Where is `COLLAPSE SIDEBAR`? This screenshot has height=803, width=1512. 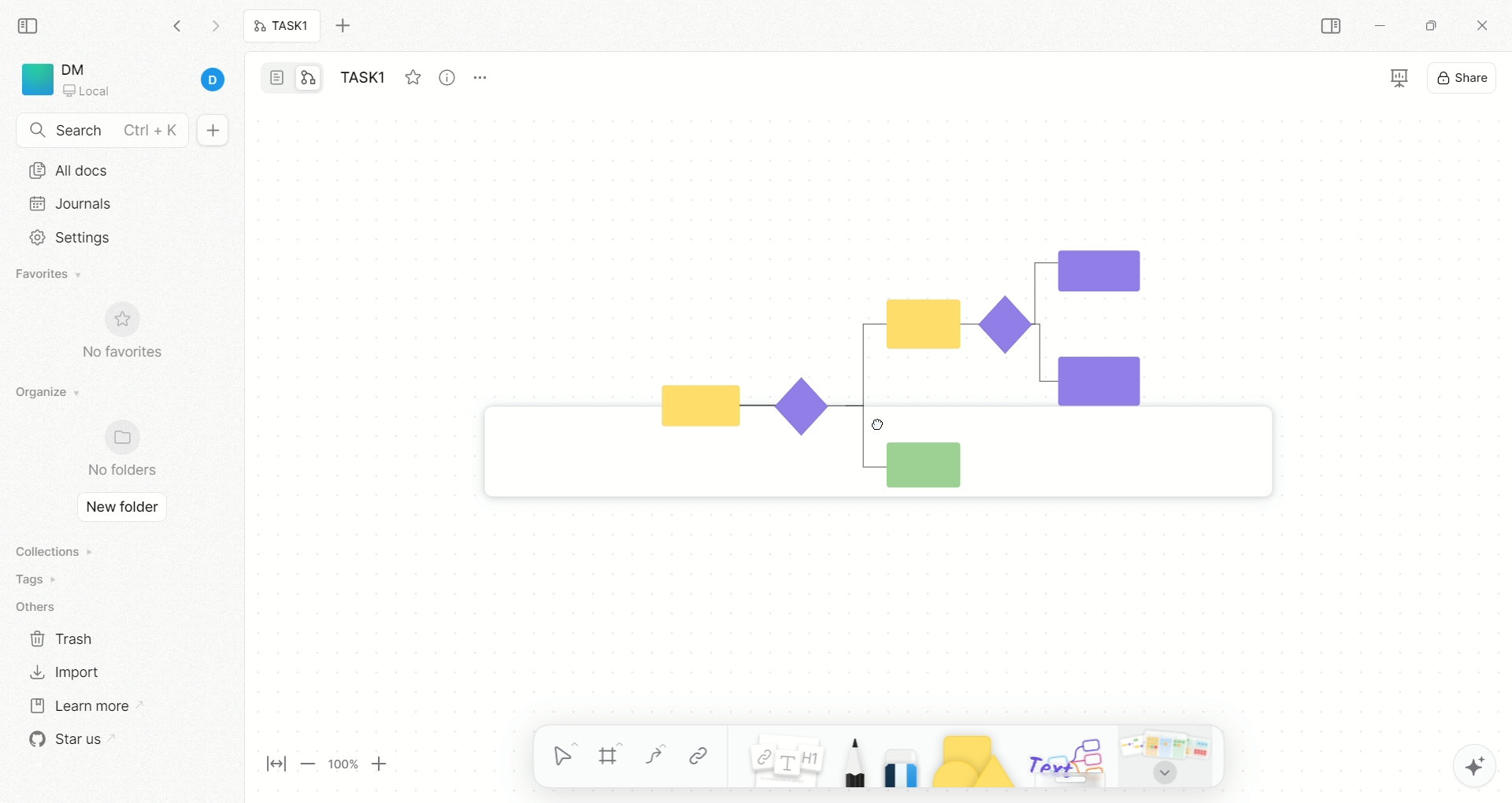 COLLAPSE SIDEBAR is located at coordinates (1332, 27).